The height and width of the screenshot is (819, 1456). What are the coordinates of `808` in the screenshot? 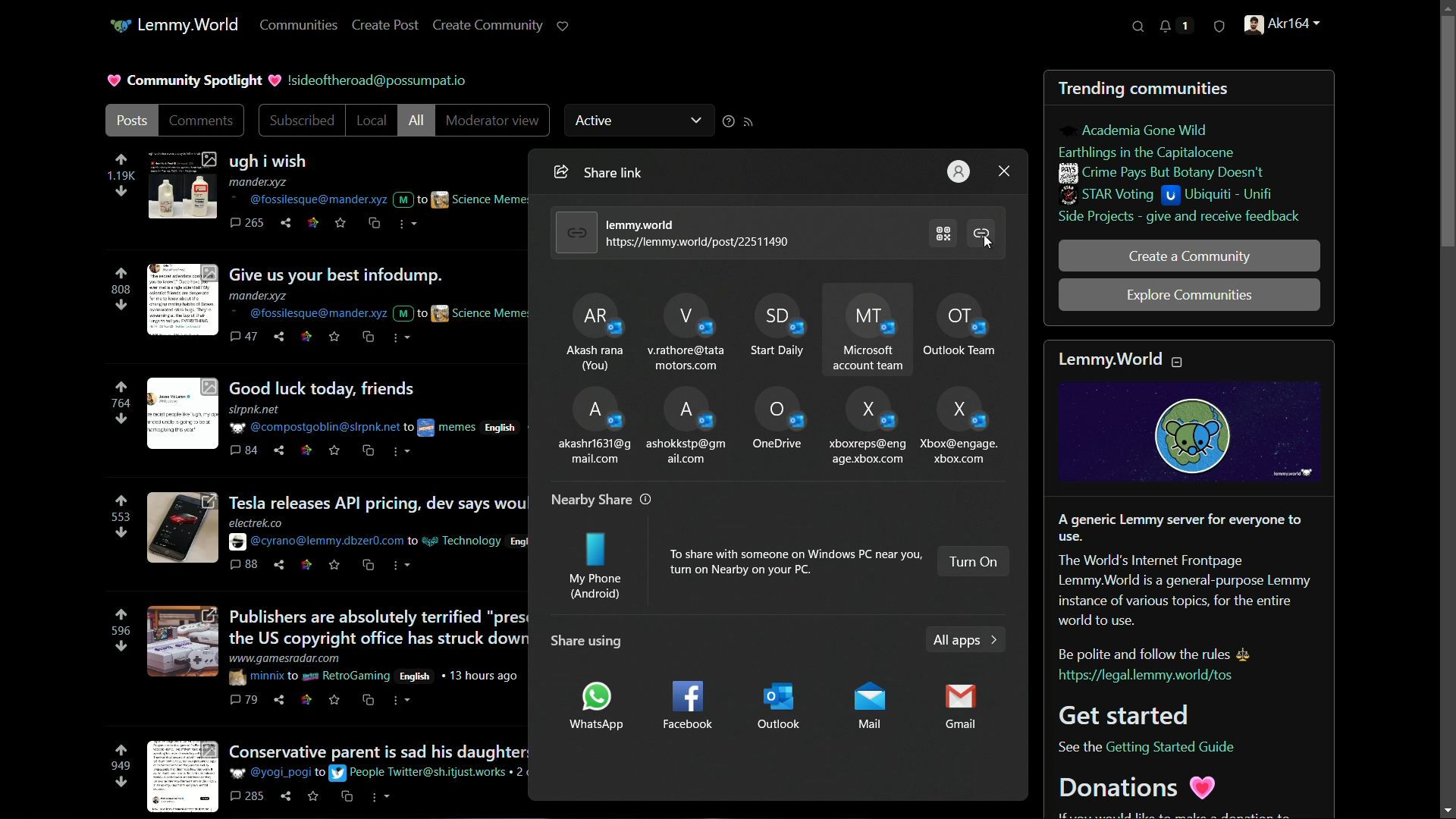 It's located at (121, 290).